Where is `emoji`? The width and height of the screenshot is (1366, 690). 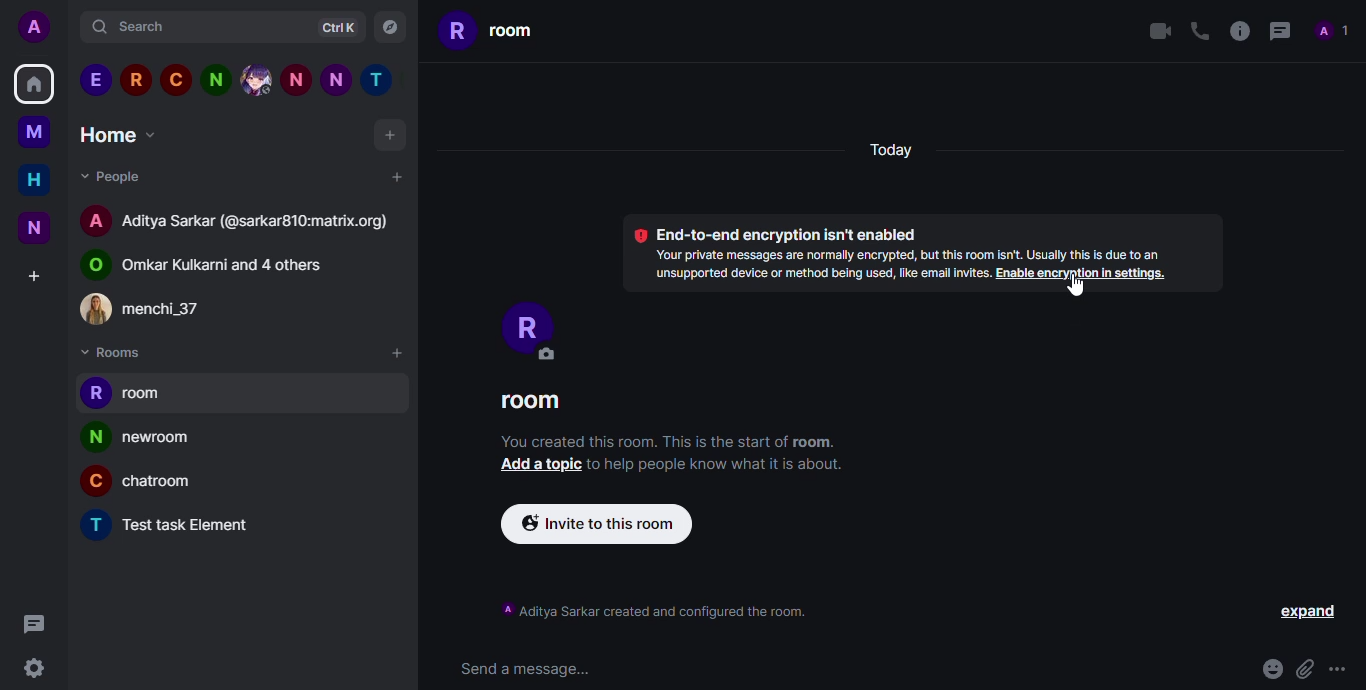 emoji is located at coordinates (1271, 669).